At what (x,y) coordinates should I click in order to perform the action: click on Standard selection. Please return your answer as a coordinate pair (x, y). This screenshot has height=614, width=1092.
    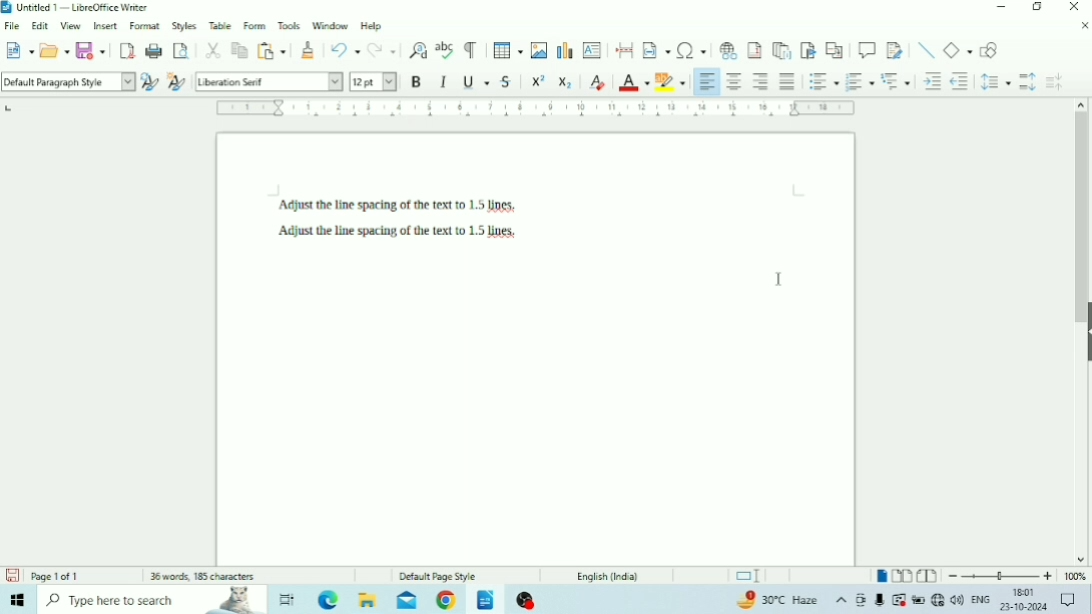
    Looking at the image, I should click on (751, 576).